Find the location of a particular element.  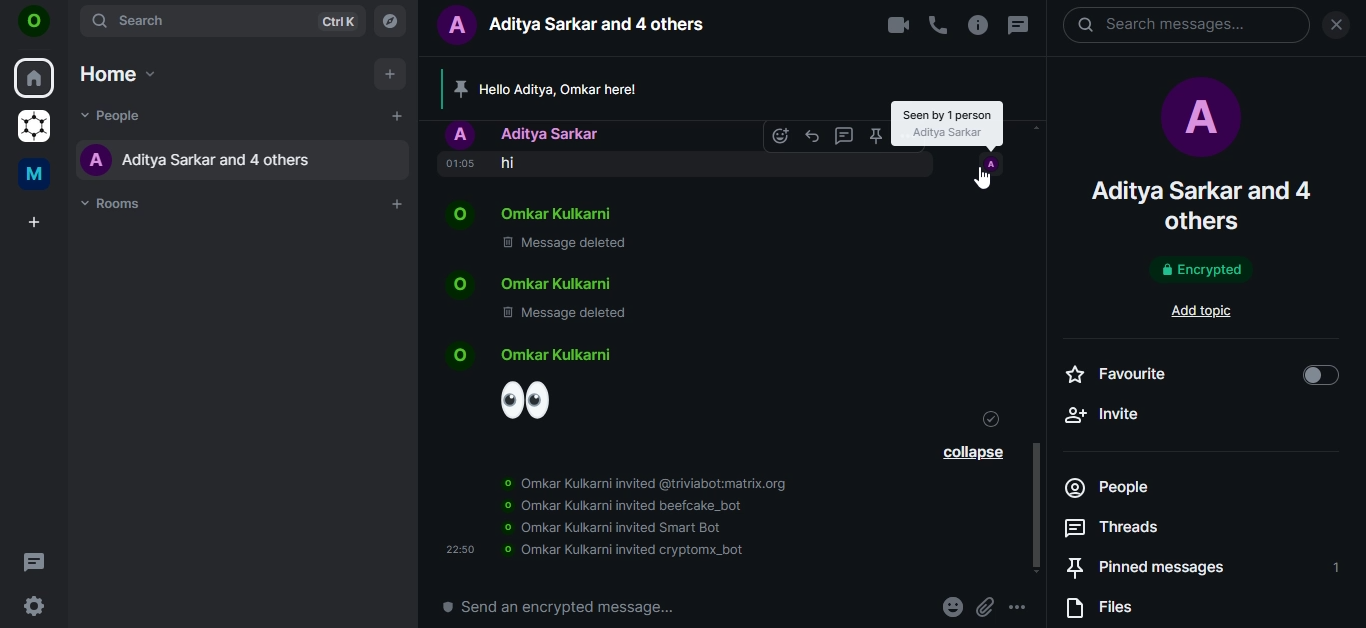

threads is located at coordinates (1113, 529).